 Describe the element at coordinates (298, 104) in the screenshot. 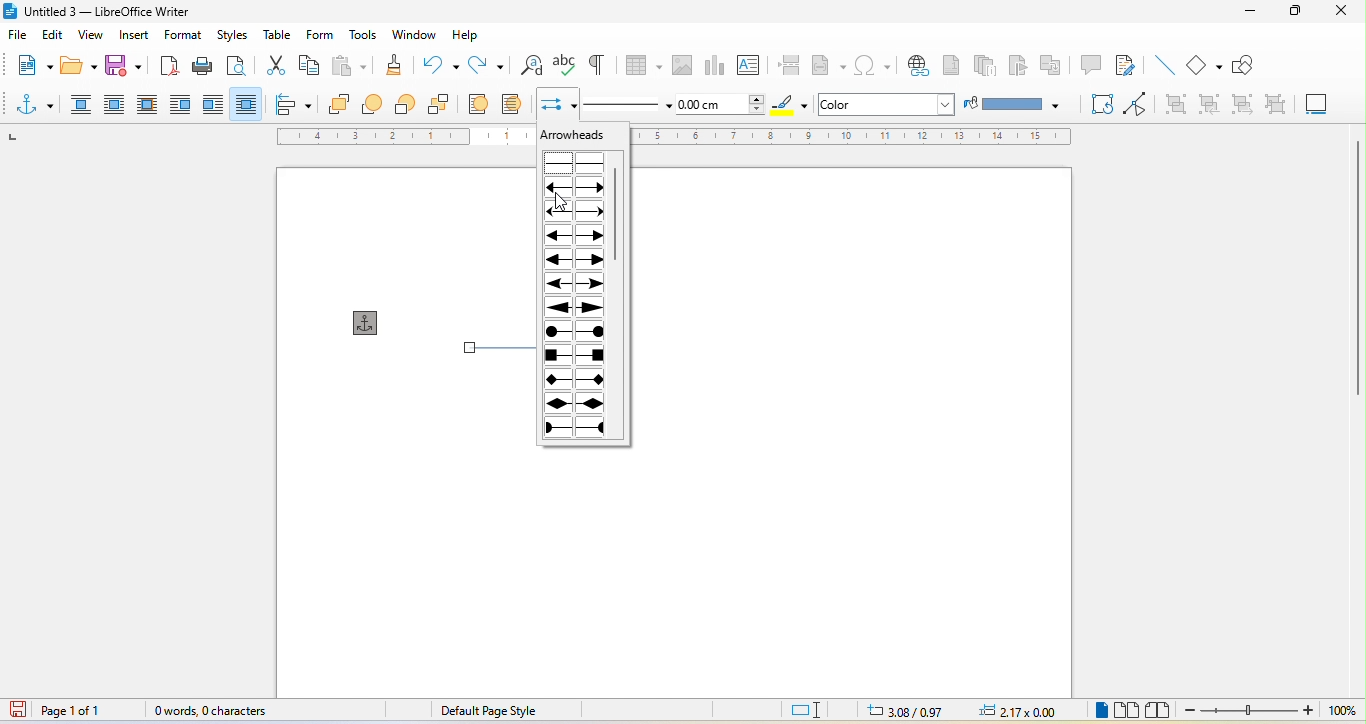

I see `align object` at that location.